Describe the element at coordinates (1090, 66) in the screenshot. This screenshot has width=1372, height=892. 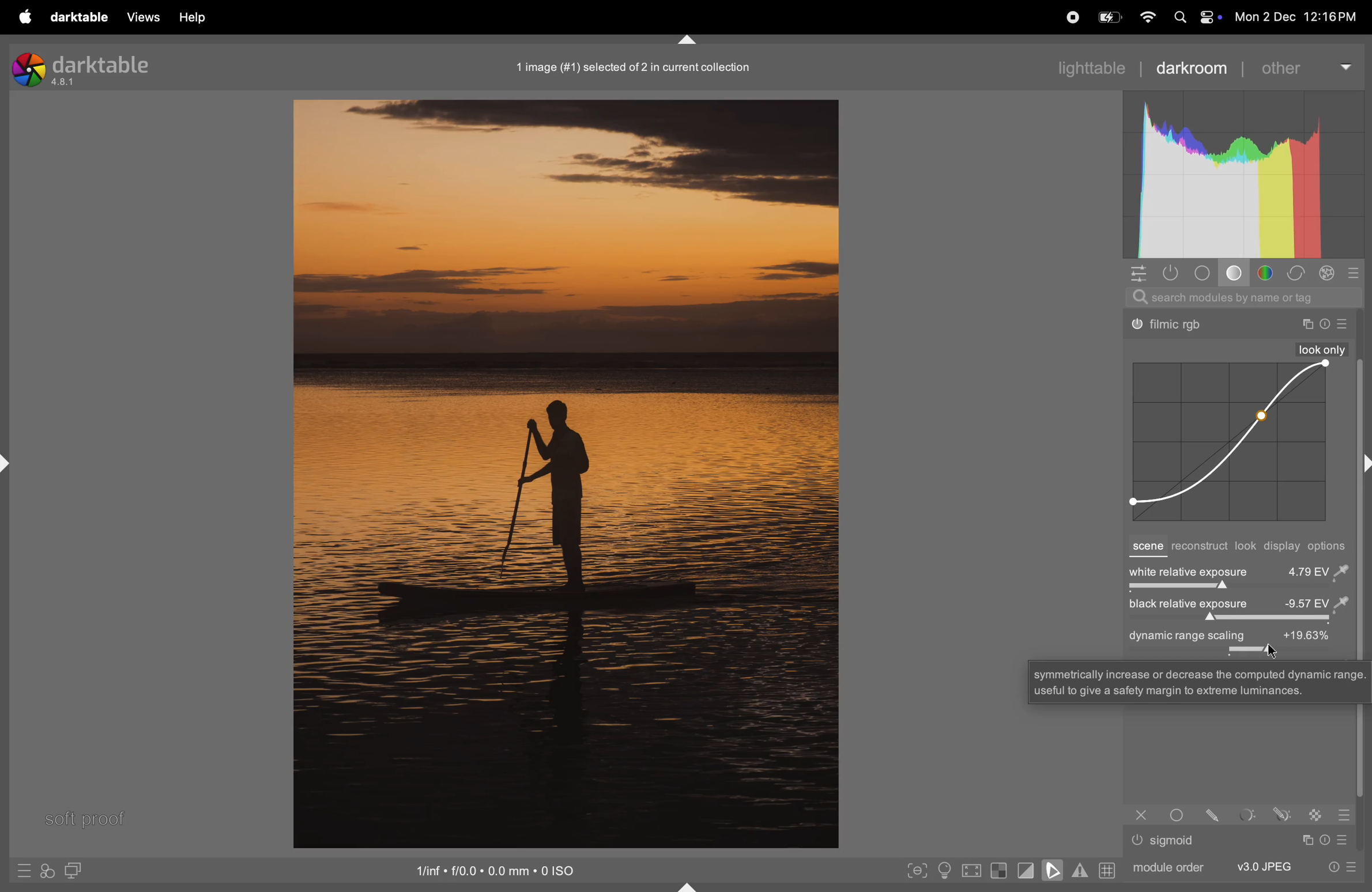
I see `lighttable` at that location.